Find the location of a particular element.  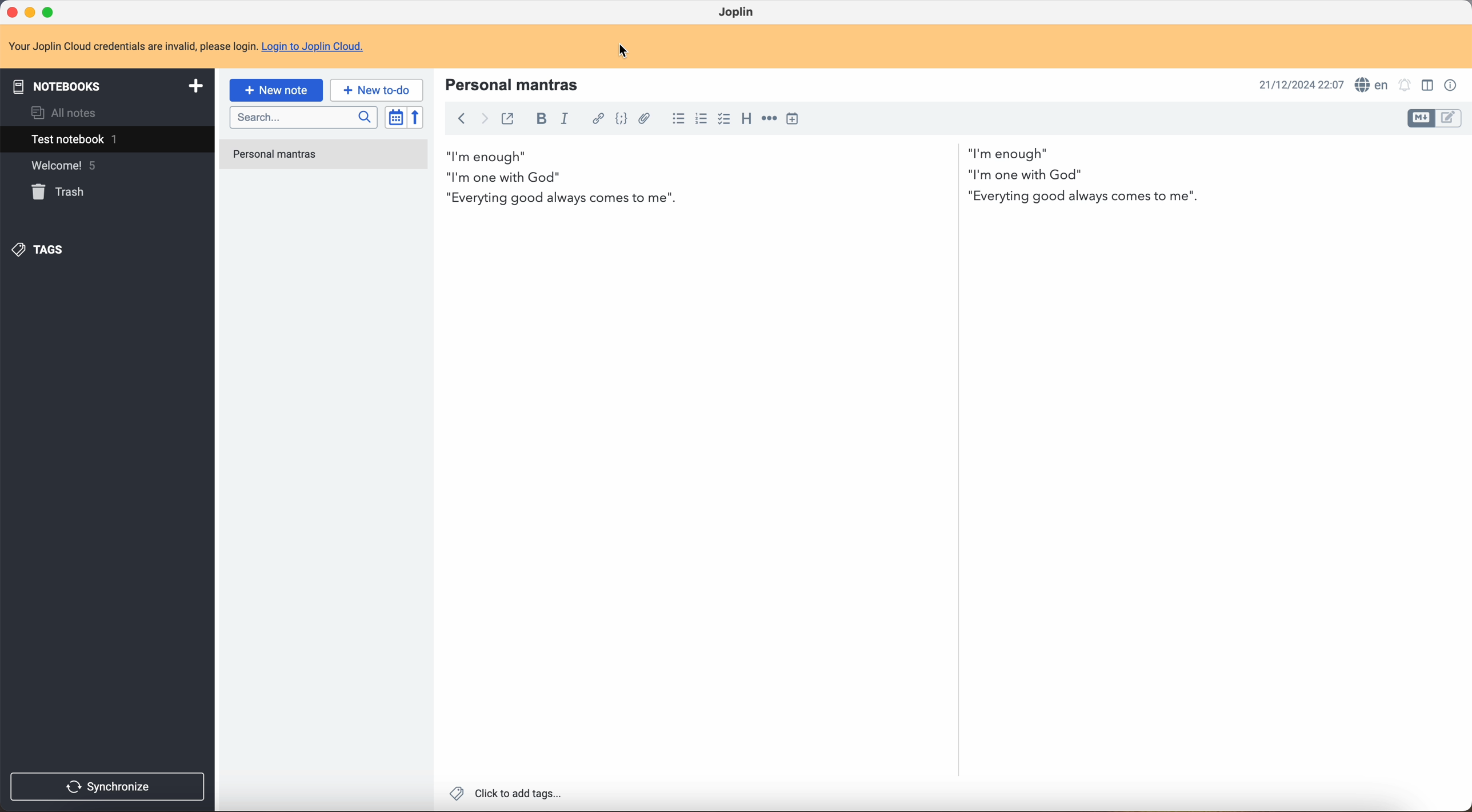

minimize program is located at coordinates (32, 14).